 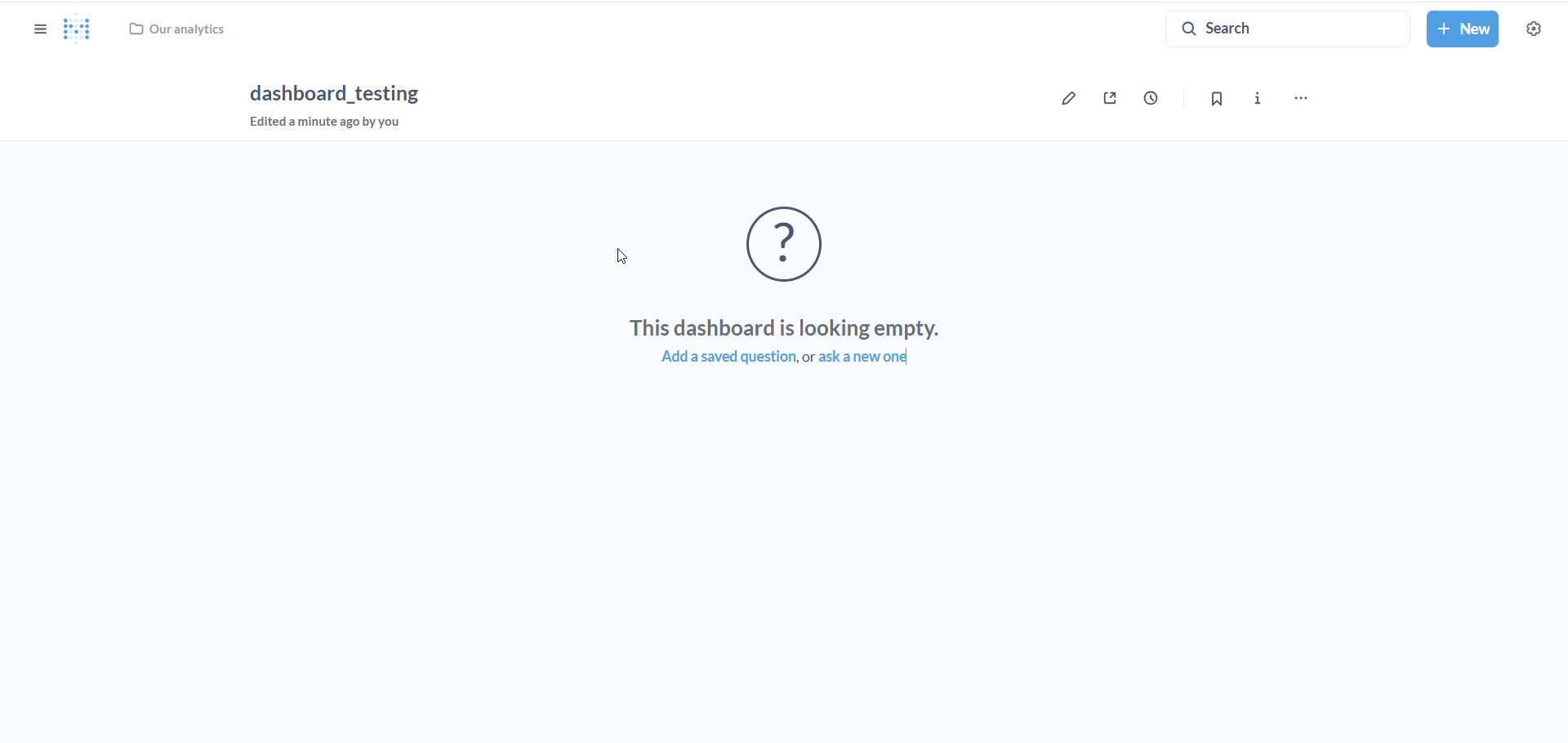 I want to click on time, so click(x=1160, y=100).